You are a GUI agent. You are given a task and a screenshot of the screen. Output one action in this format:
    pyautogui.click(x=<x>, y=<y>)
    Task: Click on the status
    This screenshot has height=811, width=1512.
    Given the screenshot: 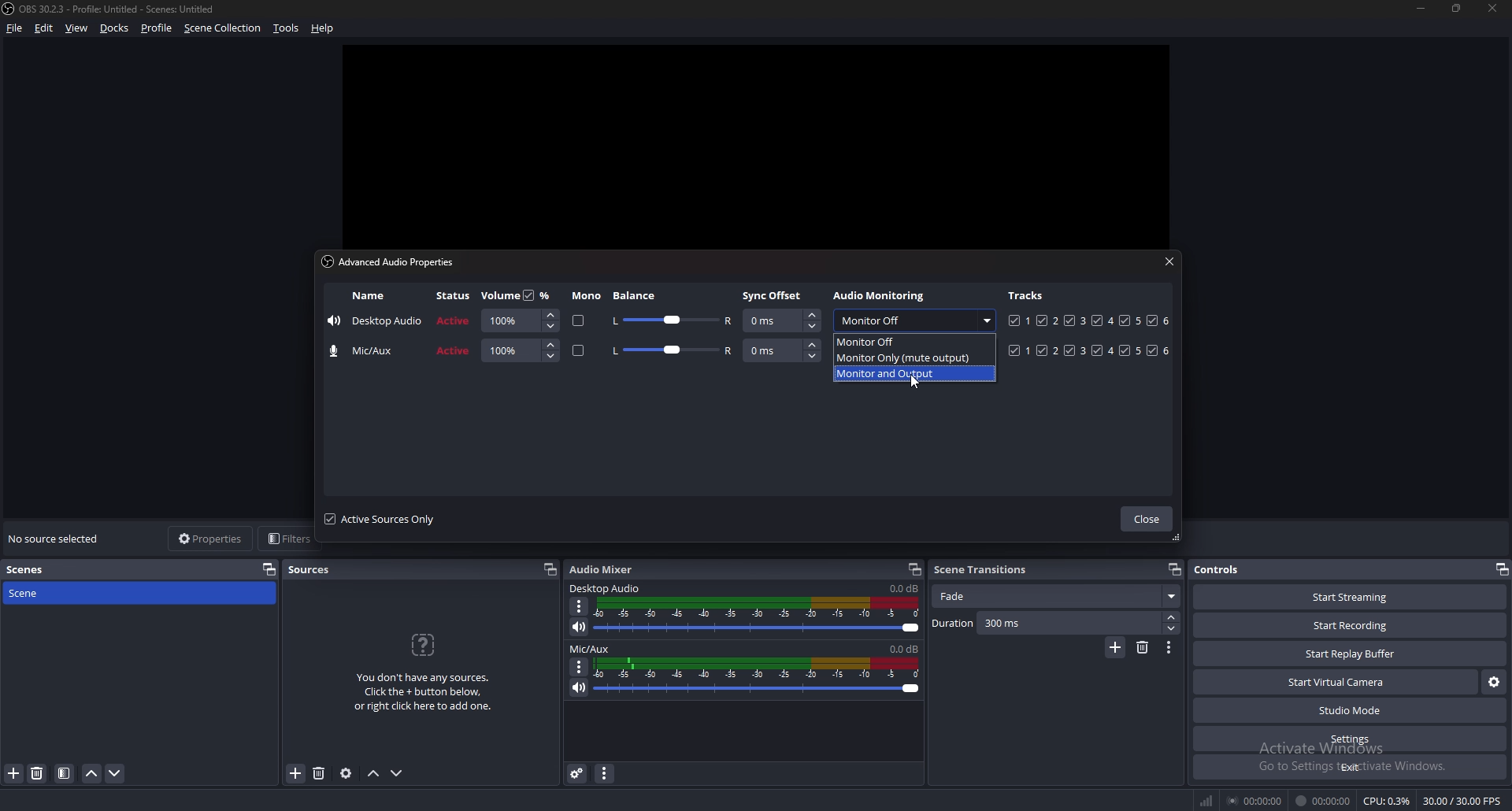 What is the action you would take?
    pyautogui.click(x=454, y=351)
    